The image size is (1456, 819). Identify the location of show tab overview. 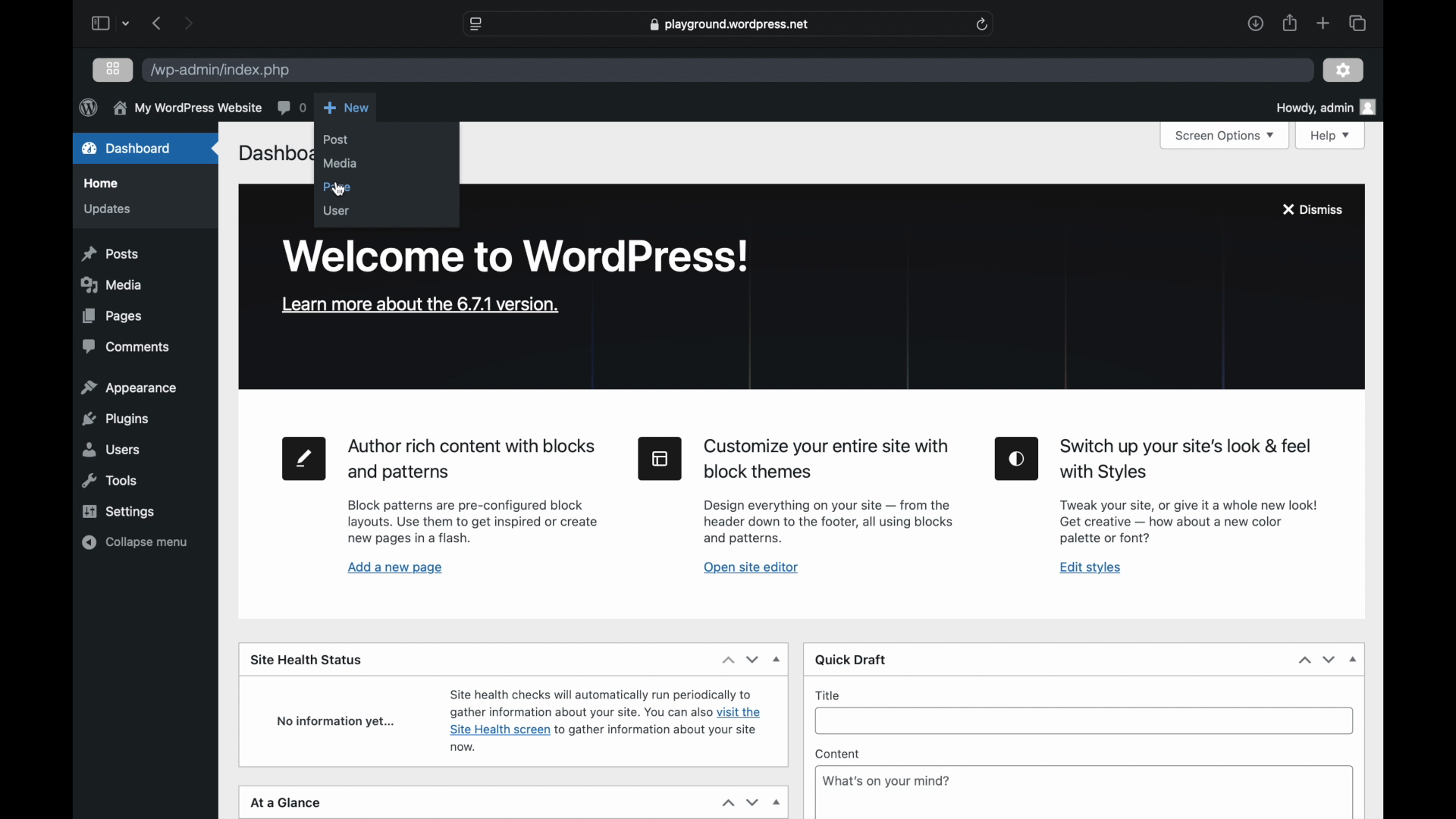
(1357, 23).